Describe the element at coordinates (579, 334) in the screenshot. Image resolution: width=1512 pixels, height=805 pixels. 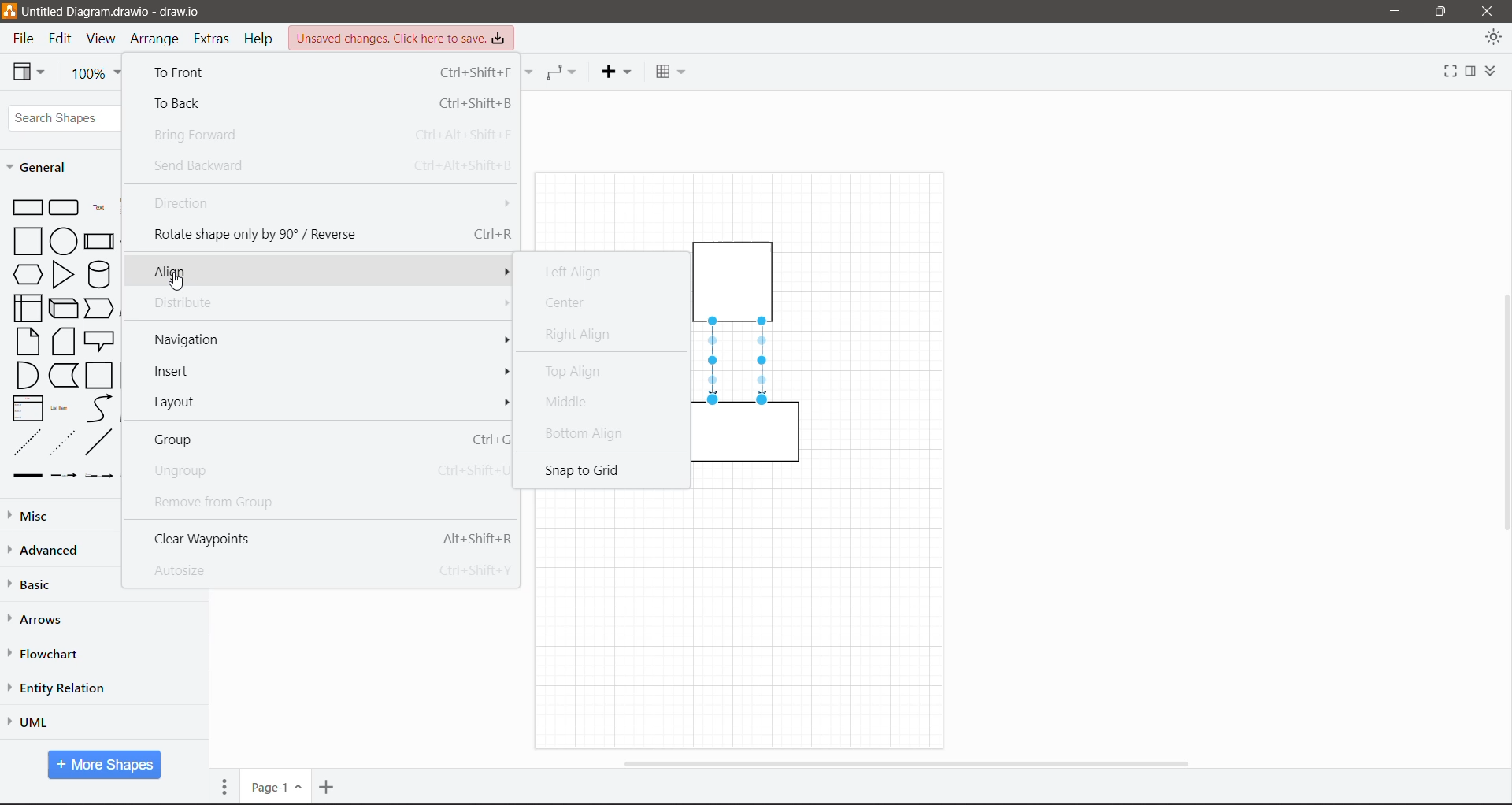
I see `Right Align` at that location.